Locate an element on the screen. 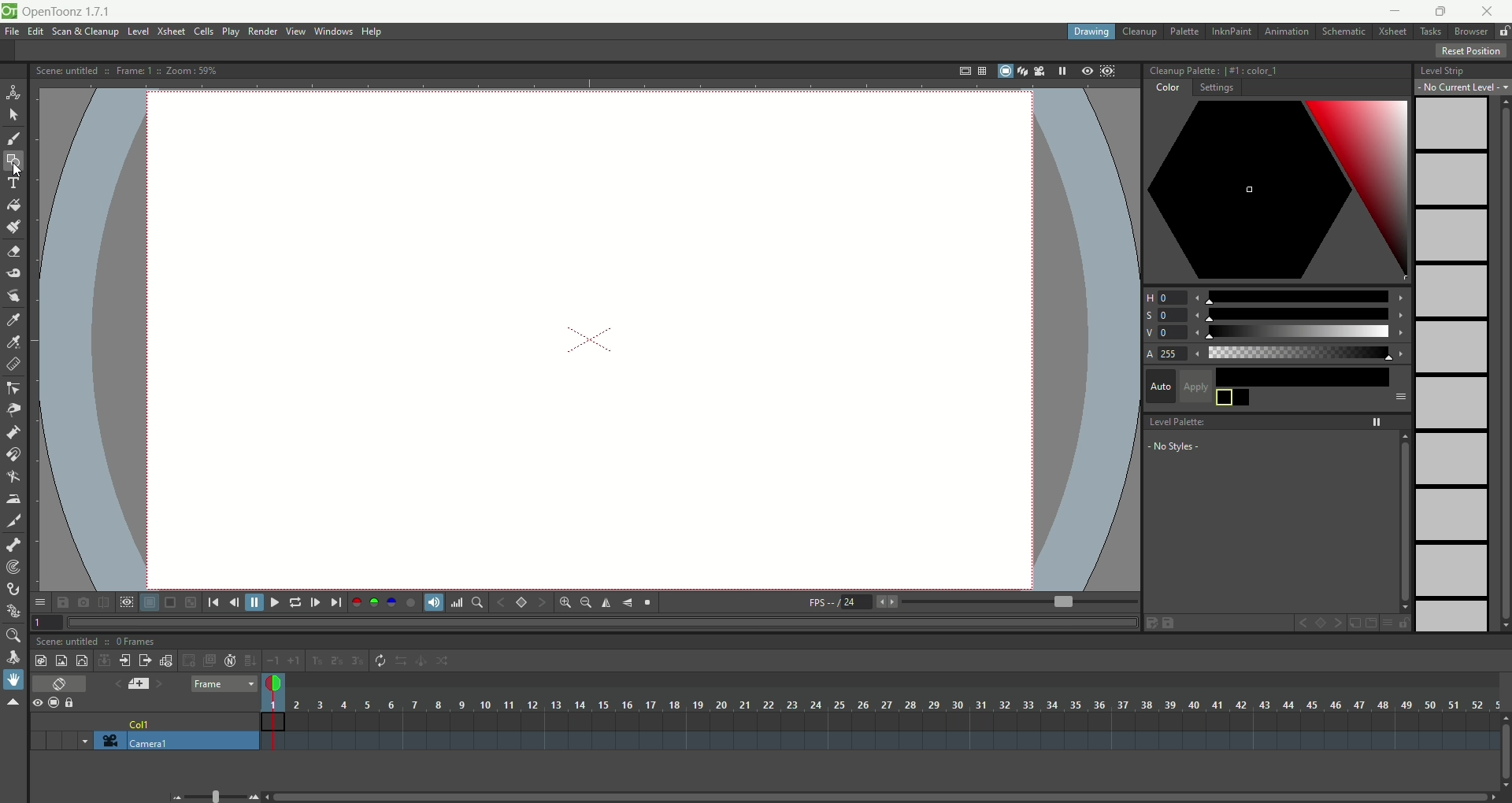  fill in empty cells is located at coordinates (250, 661).